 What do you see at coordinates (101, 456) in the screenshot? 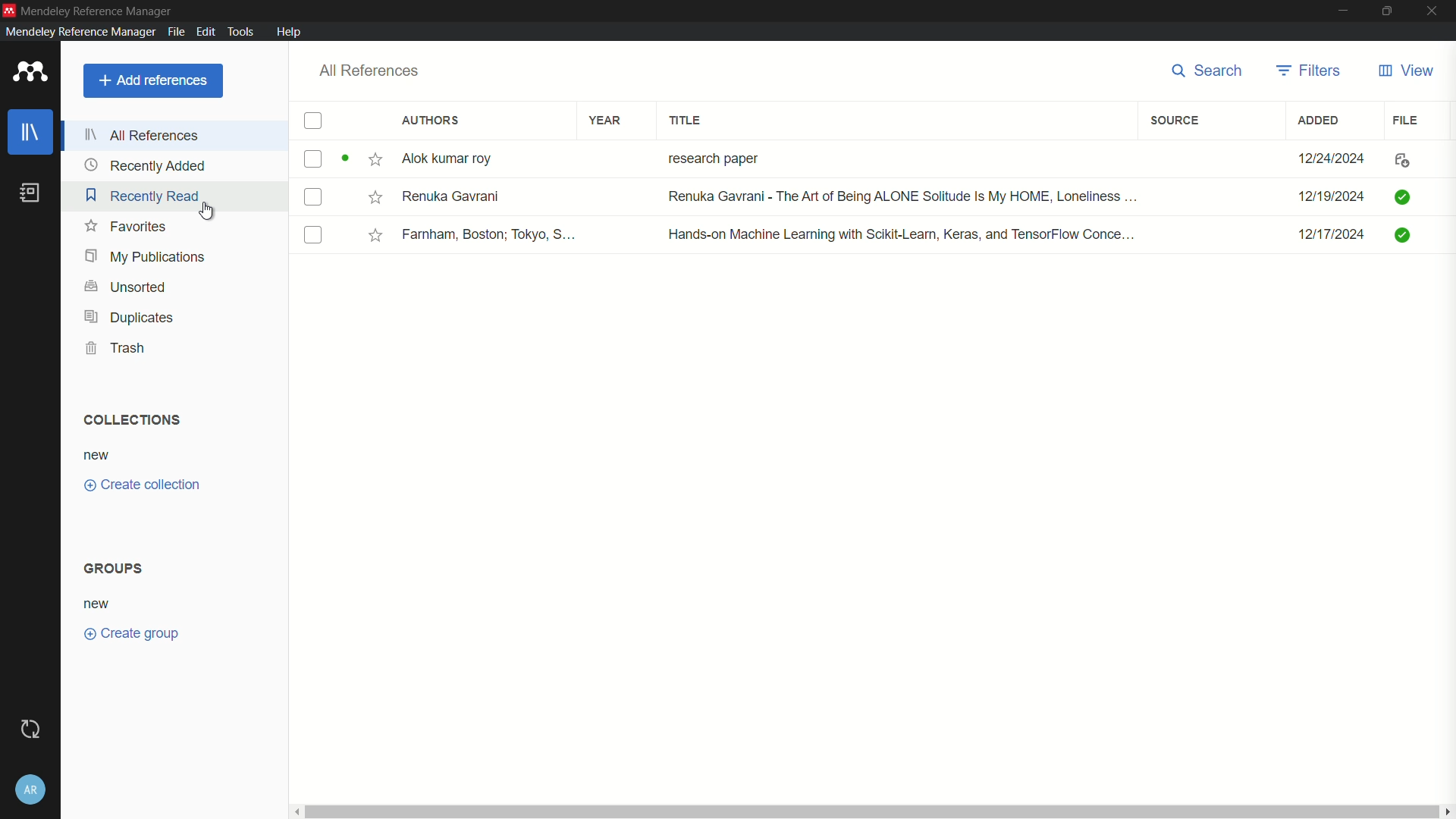
I see `new` at bounding box center [101, 456].